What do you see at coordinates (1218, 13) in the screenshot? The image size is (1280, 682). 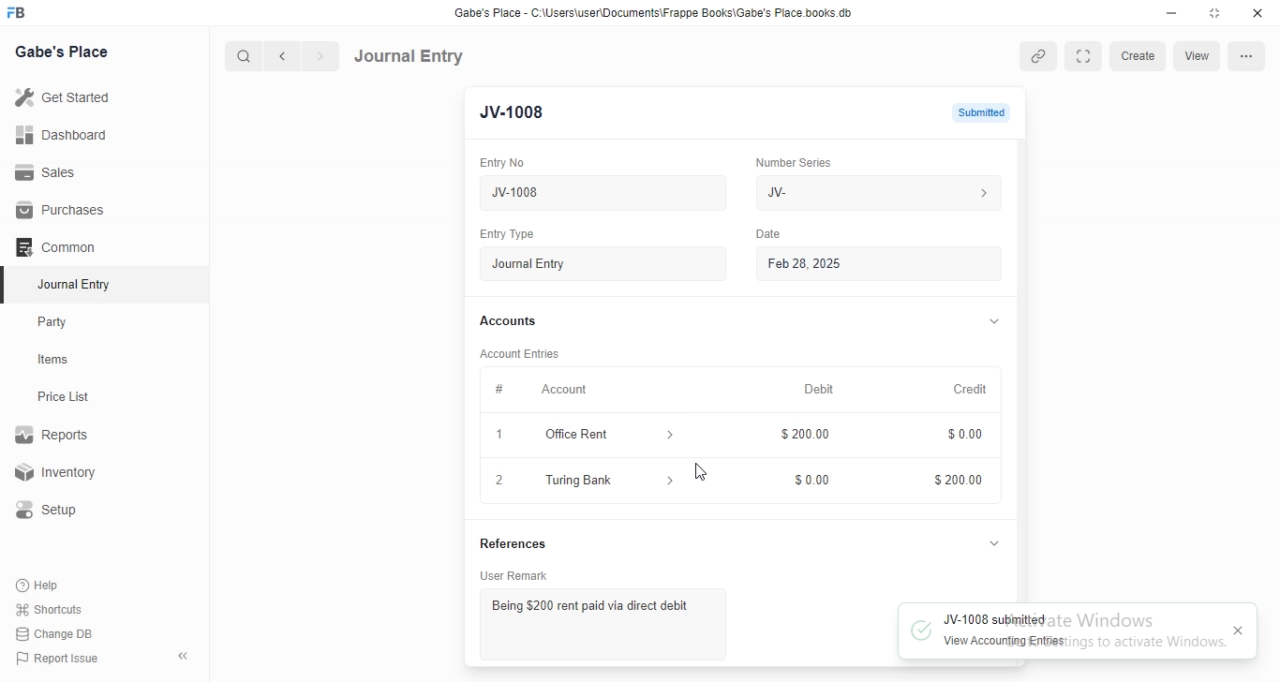 I see `restore` at bounding box center [1218, 13].